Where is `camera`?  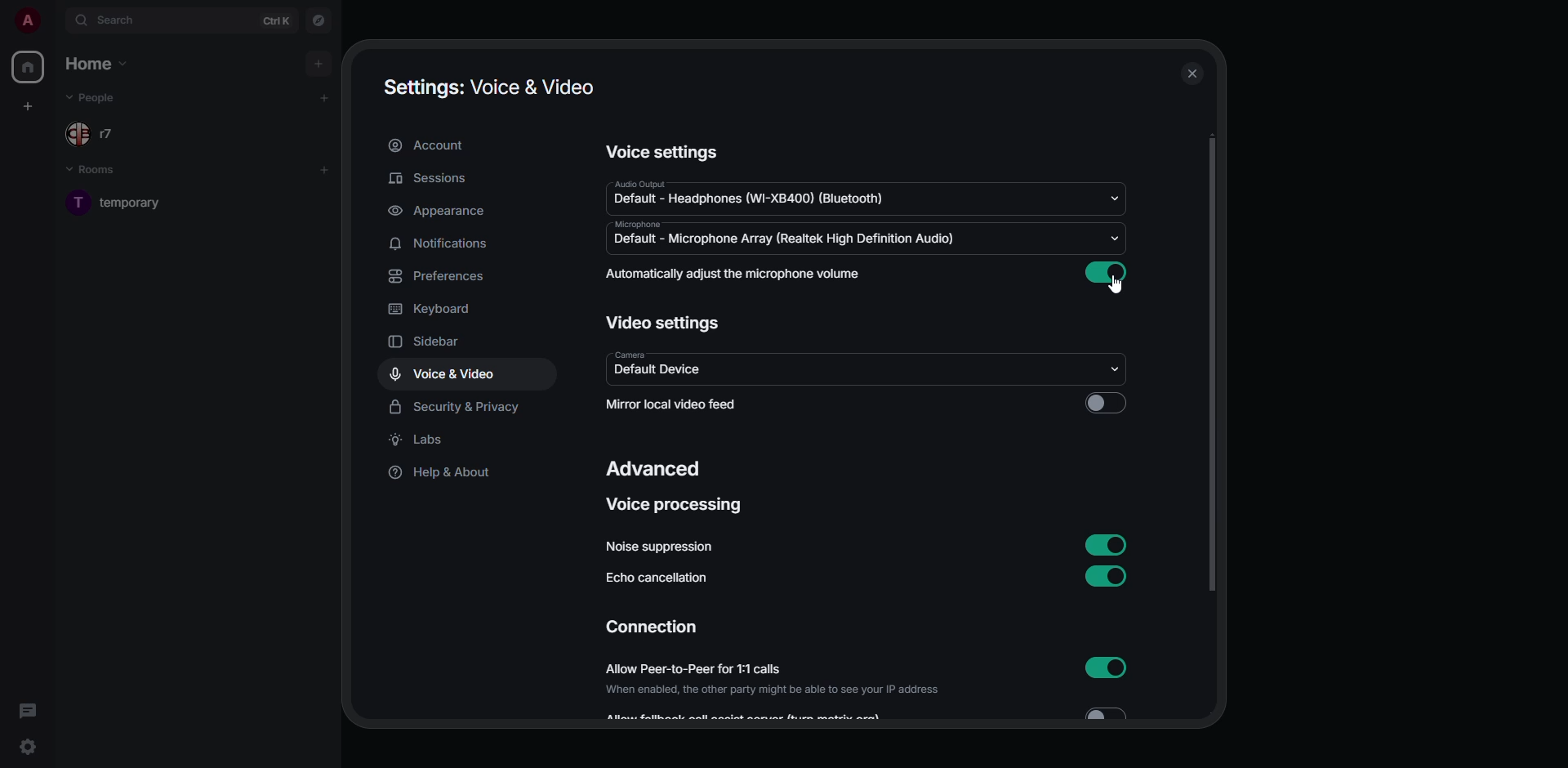 camera is located at coordinates (662, 366).